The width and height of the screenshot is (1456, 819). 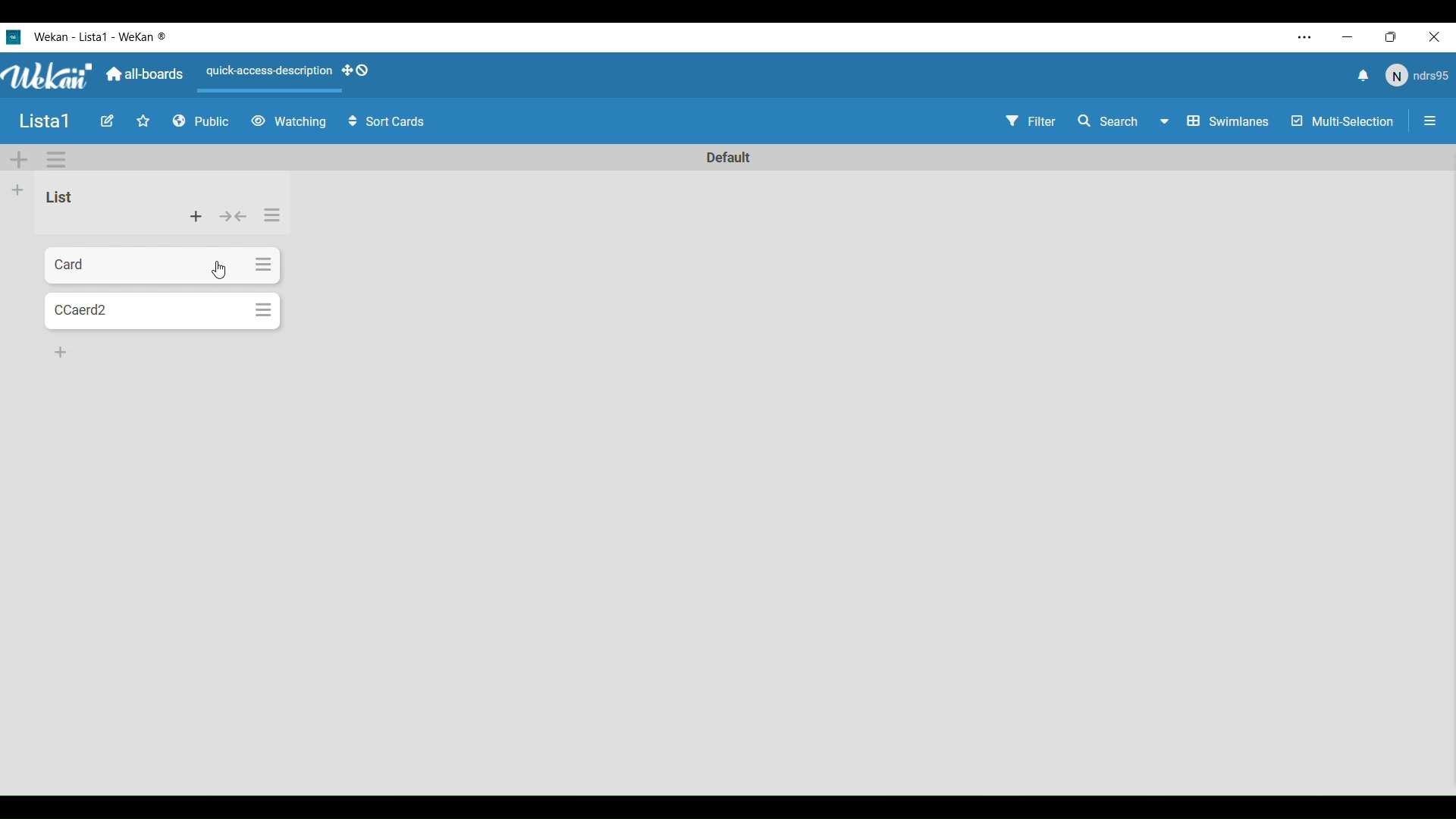 What do you see at coordinates (219, 269) in the screenshot?
I see `Cursor` at bounding box center [219, 269].